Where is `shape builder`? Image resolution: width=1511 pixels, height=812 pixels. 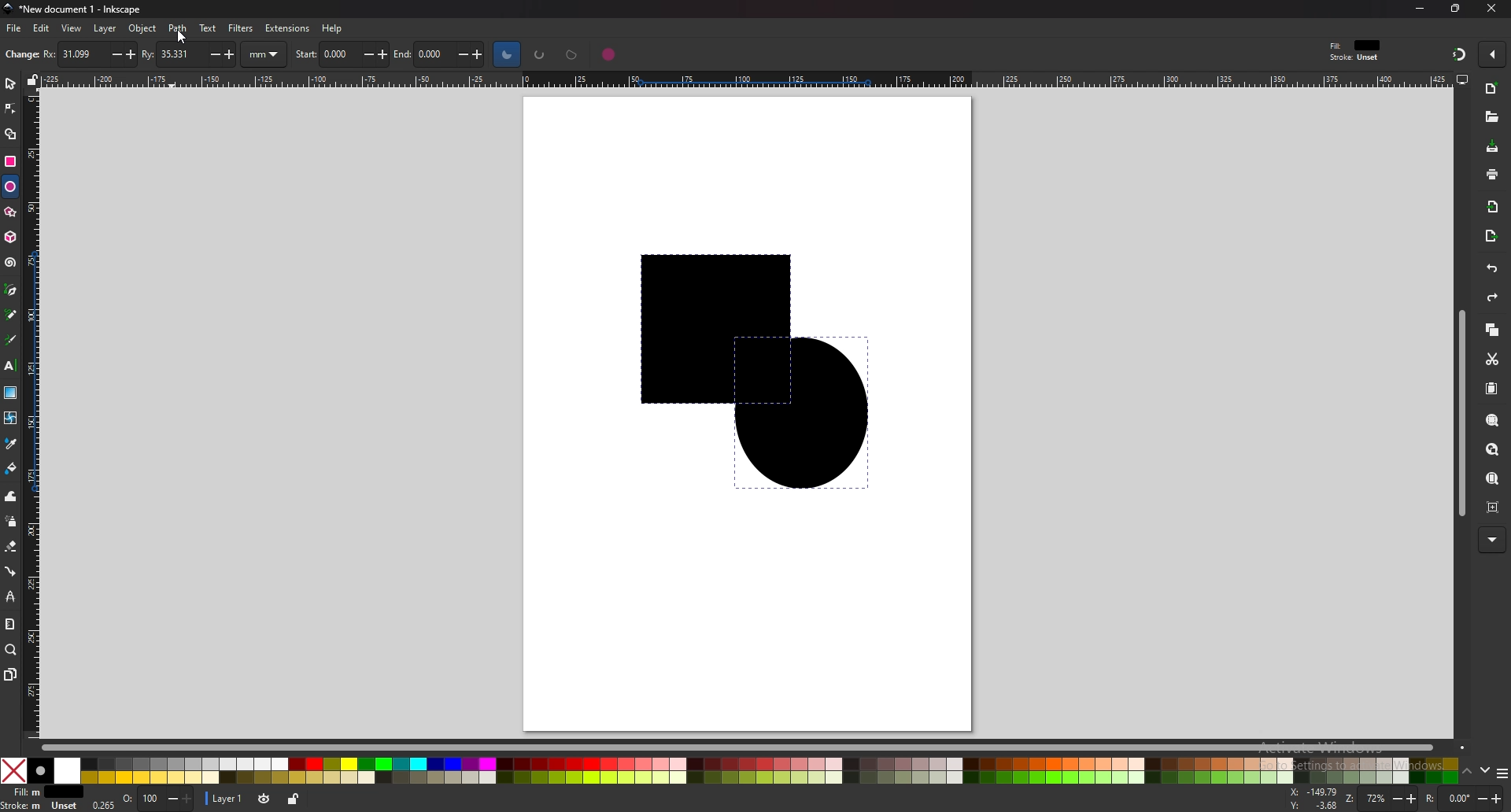 shape builder is located at coordinates (9, 135).